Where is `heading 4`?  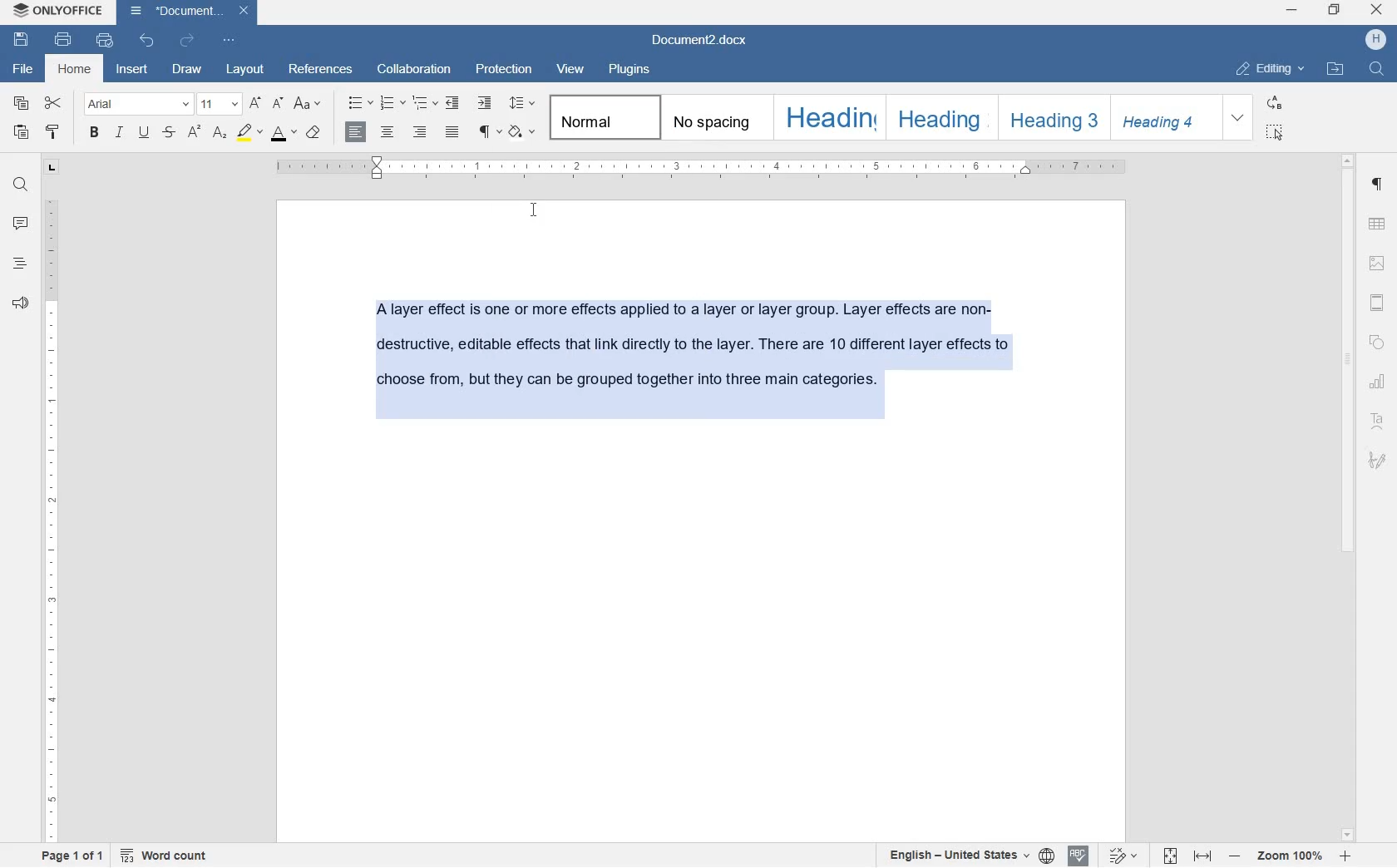
heading 4 is located at coordinates (1166, 118).